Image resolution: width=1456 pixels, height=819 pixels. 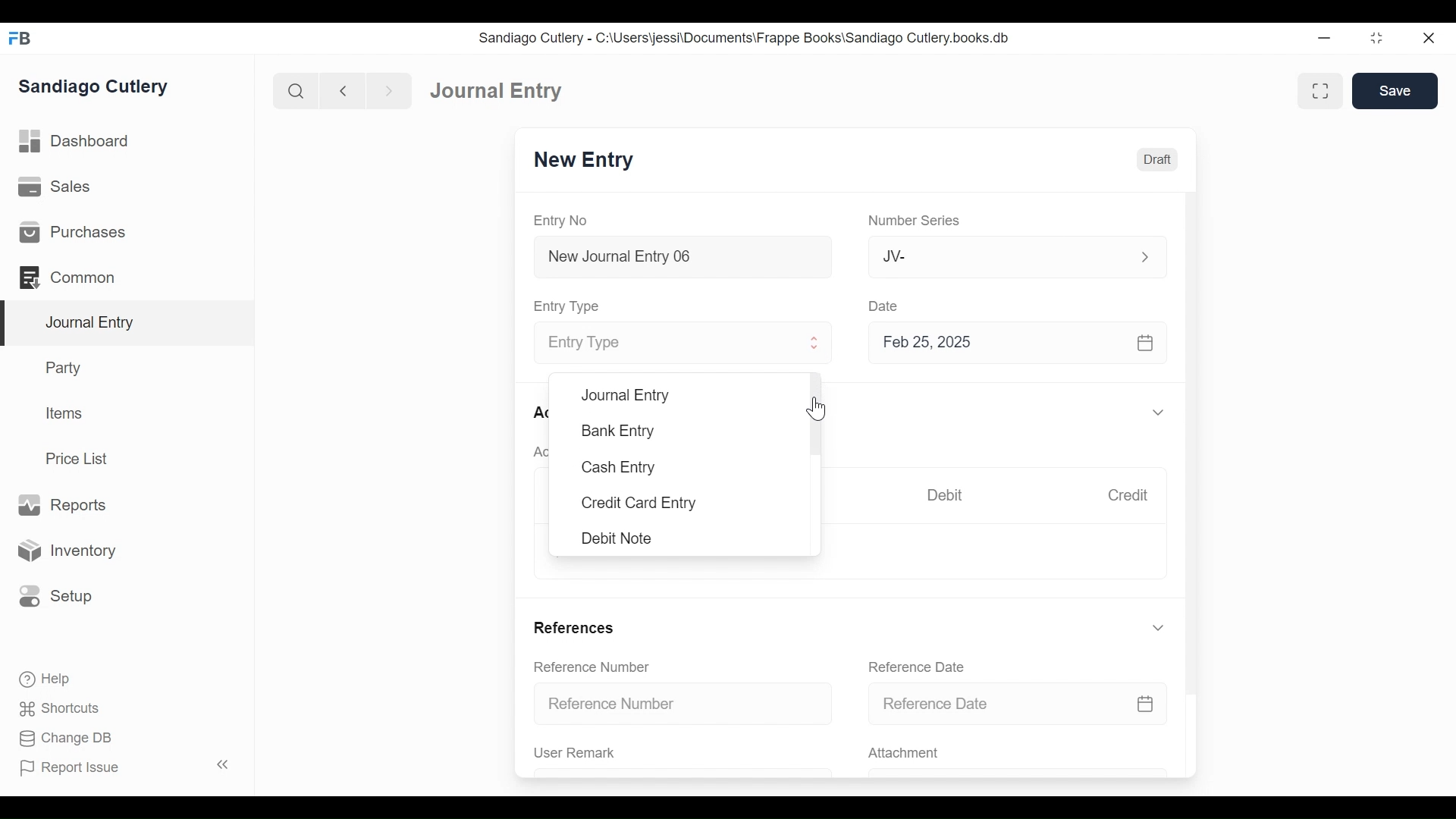 What do you see at coordinates (1157, 160) in the screenshot?
I see `Draft` at bounding box center [1157, 160].